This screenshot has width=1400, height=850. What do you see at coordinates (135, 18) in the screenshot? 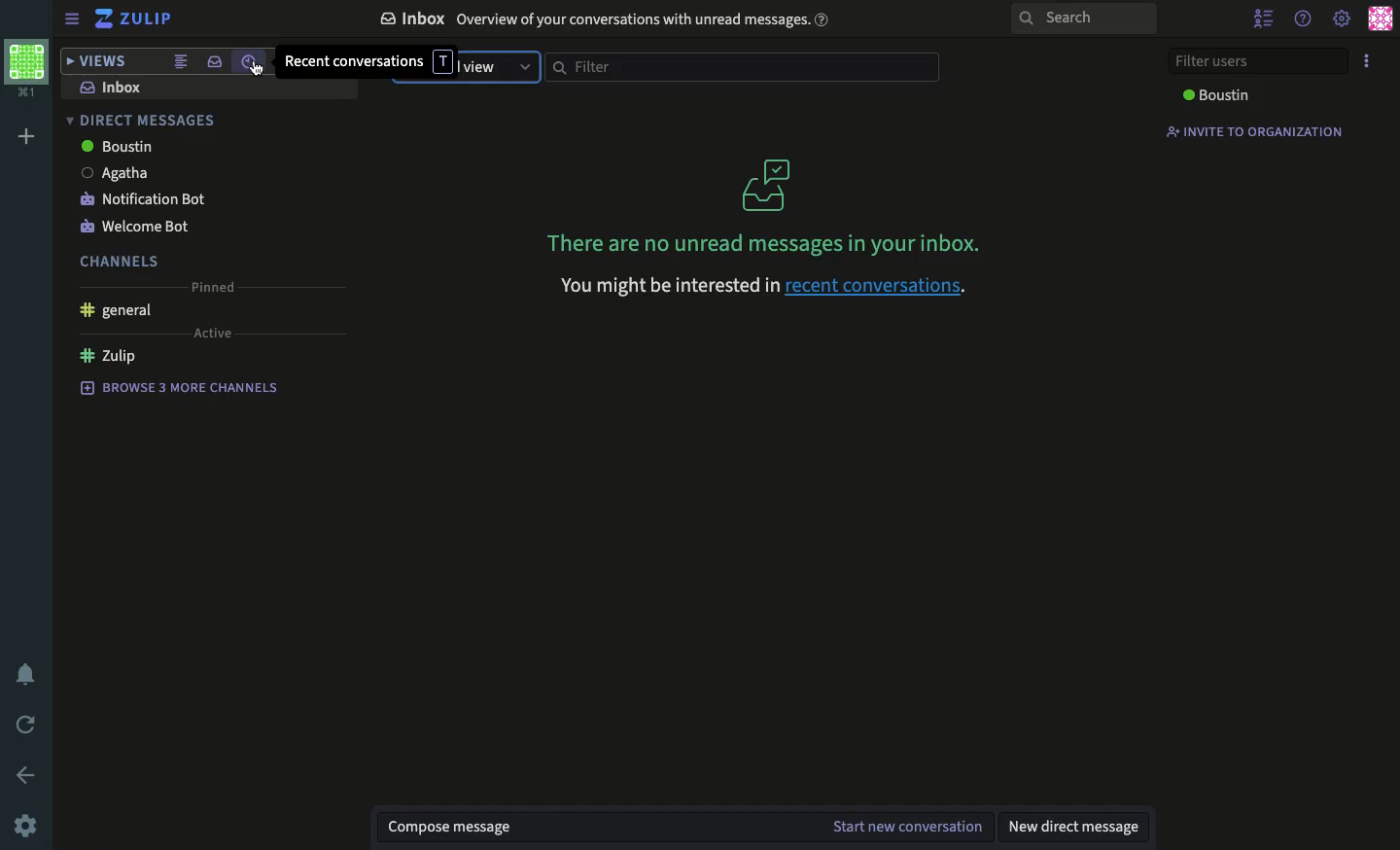
I see `Zulip` at bounding box center [135, 18].